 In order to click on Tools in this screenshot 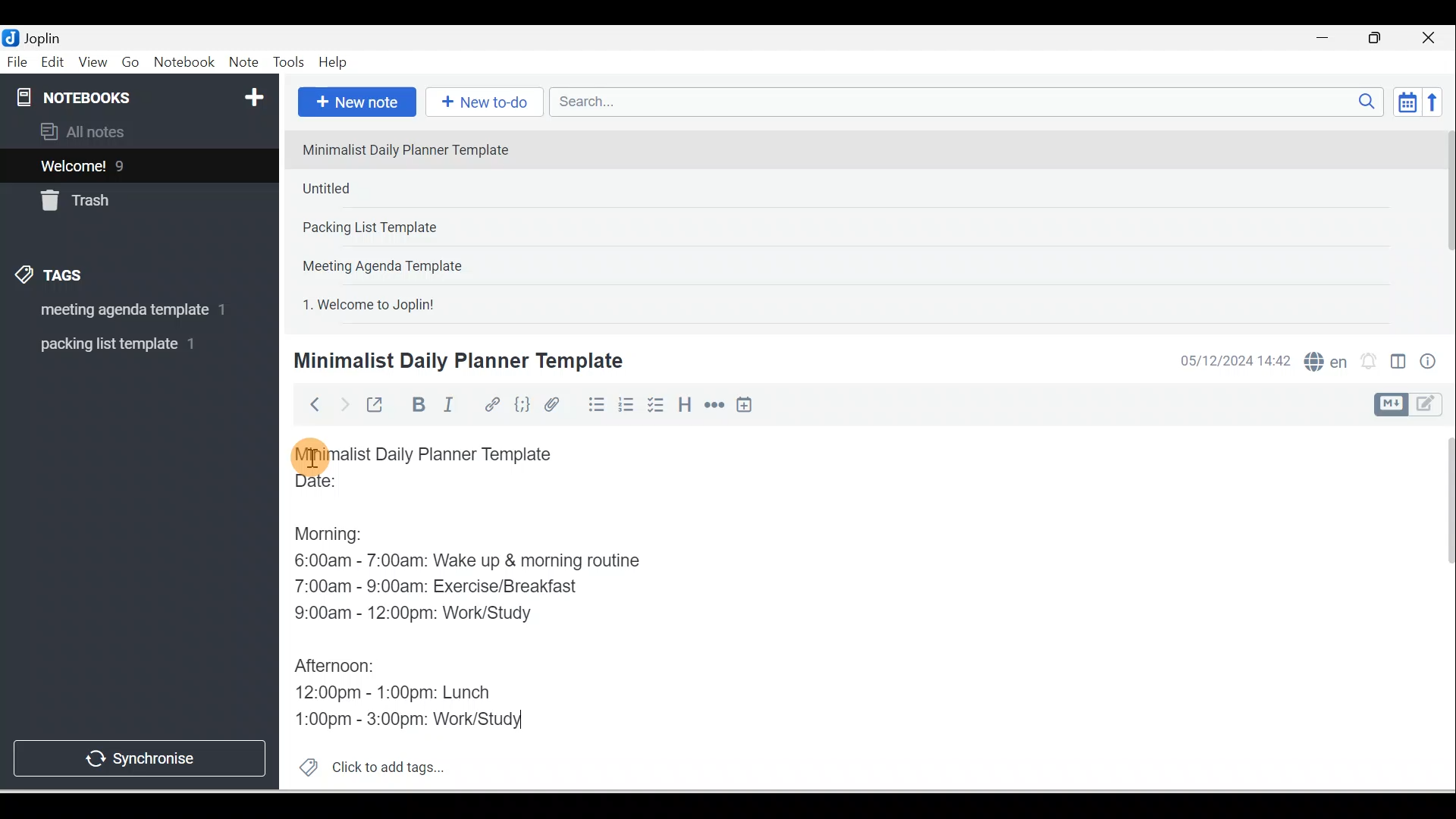, I will do `click(288, 62)`.